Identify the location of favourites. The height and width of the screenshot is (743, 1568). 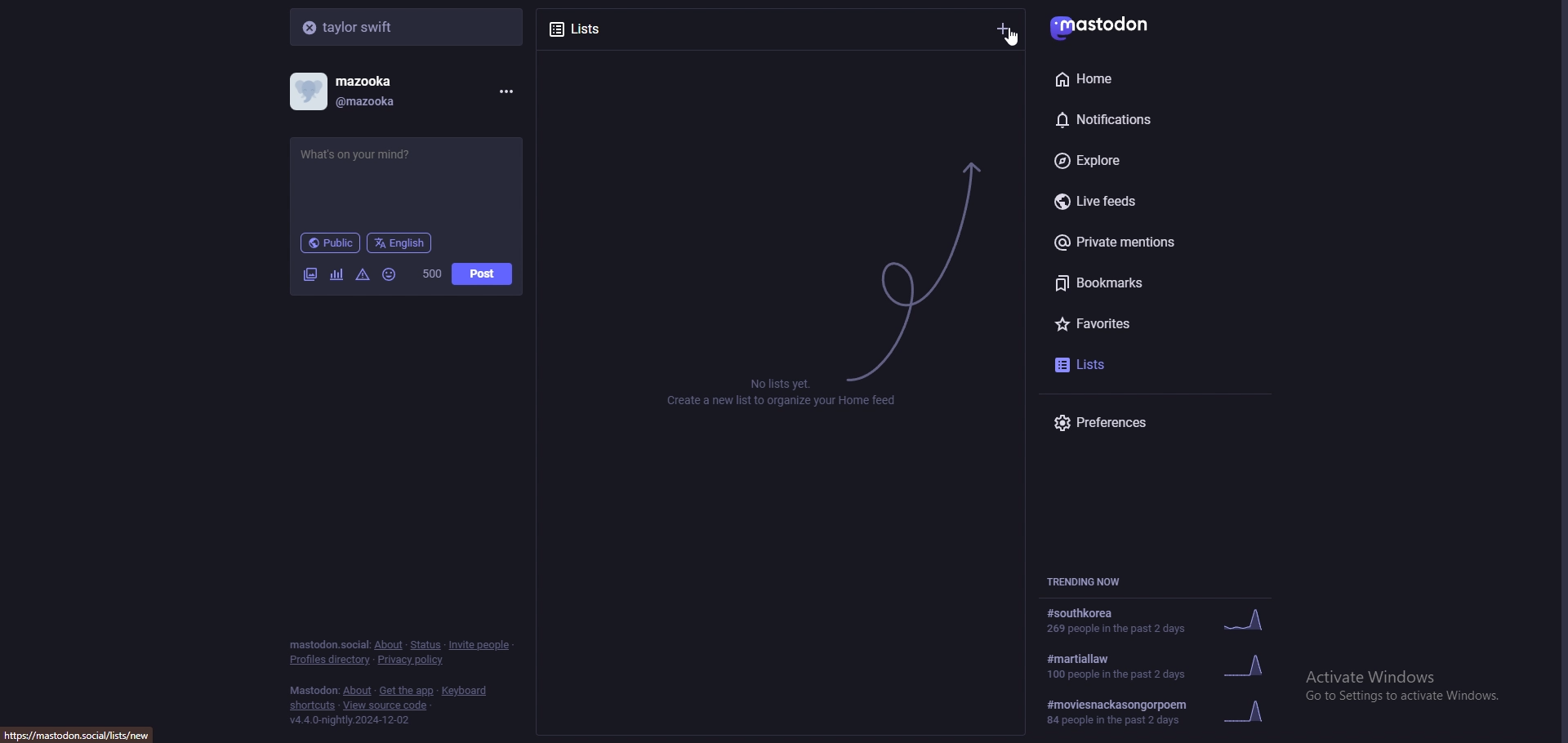
(1141, 321).